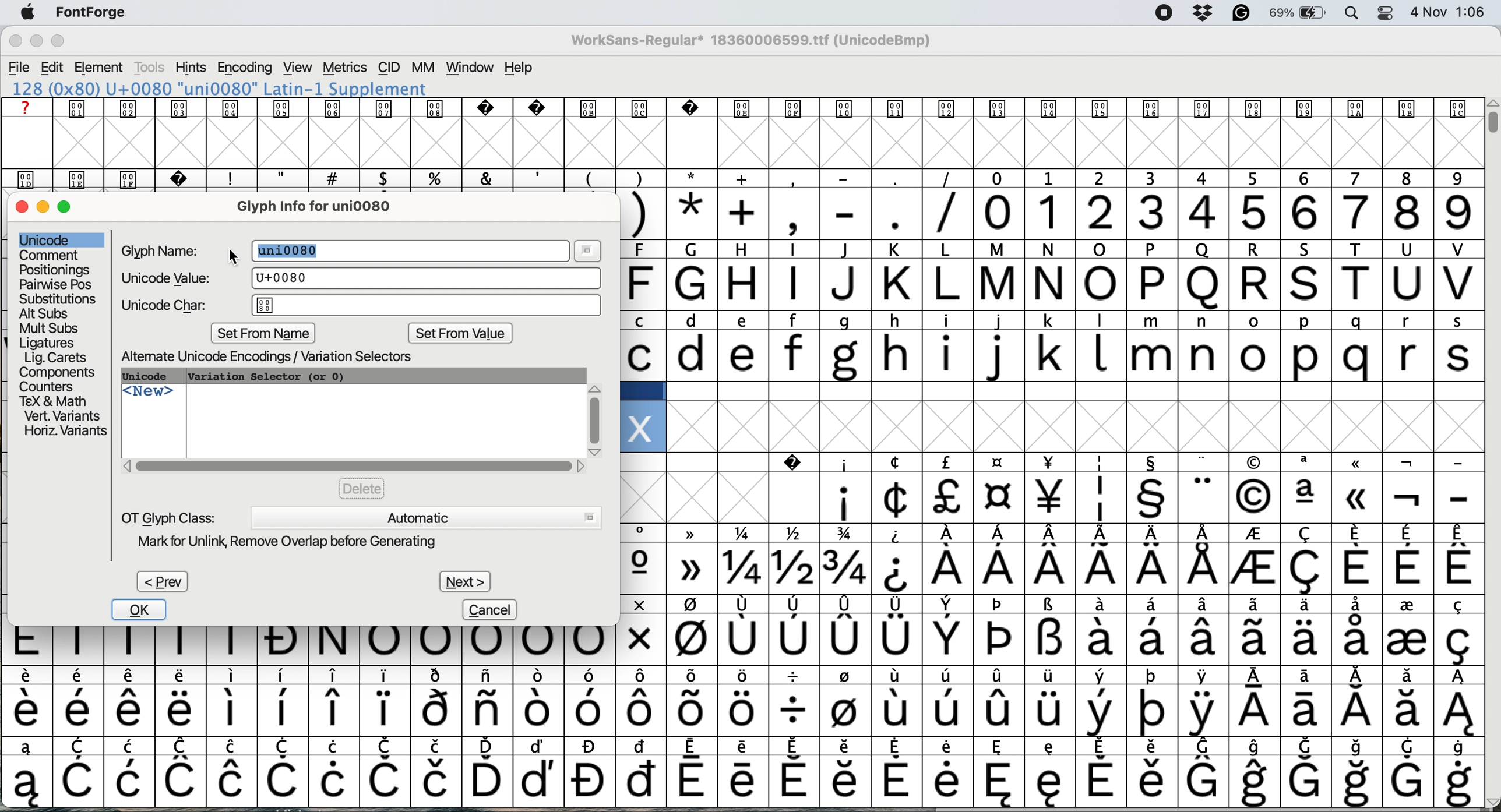 The image size is (1501, 812). What do you see at coordinates (62, 416) in the screenshot?
I see `vert variants` at bounding box center [62, 416].